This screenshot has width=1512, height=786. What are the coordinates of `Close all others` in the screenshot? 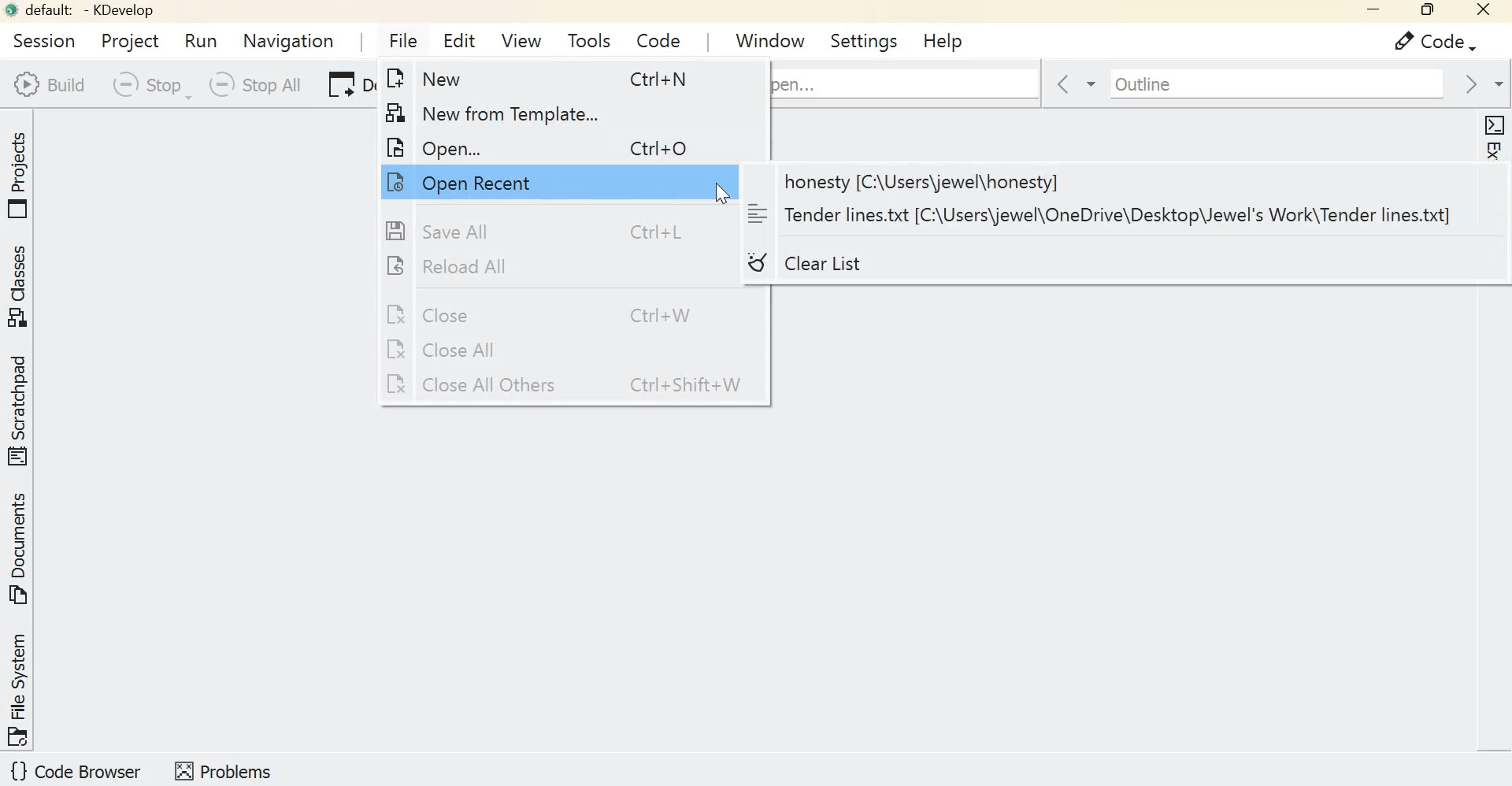 It's located at (571, 386).